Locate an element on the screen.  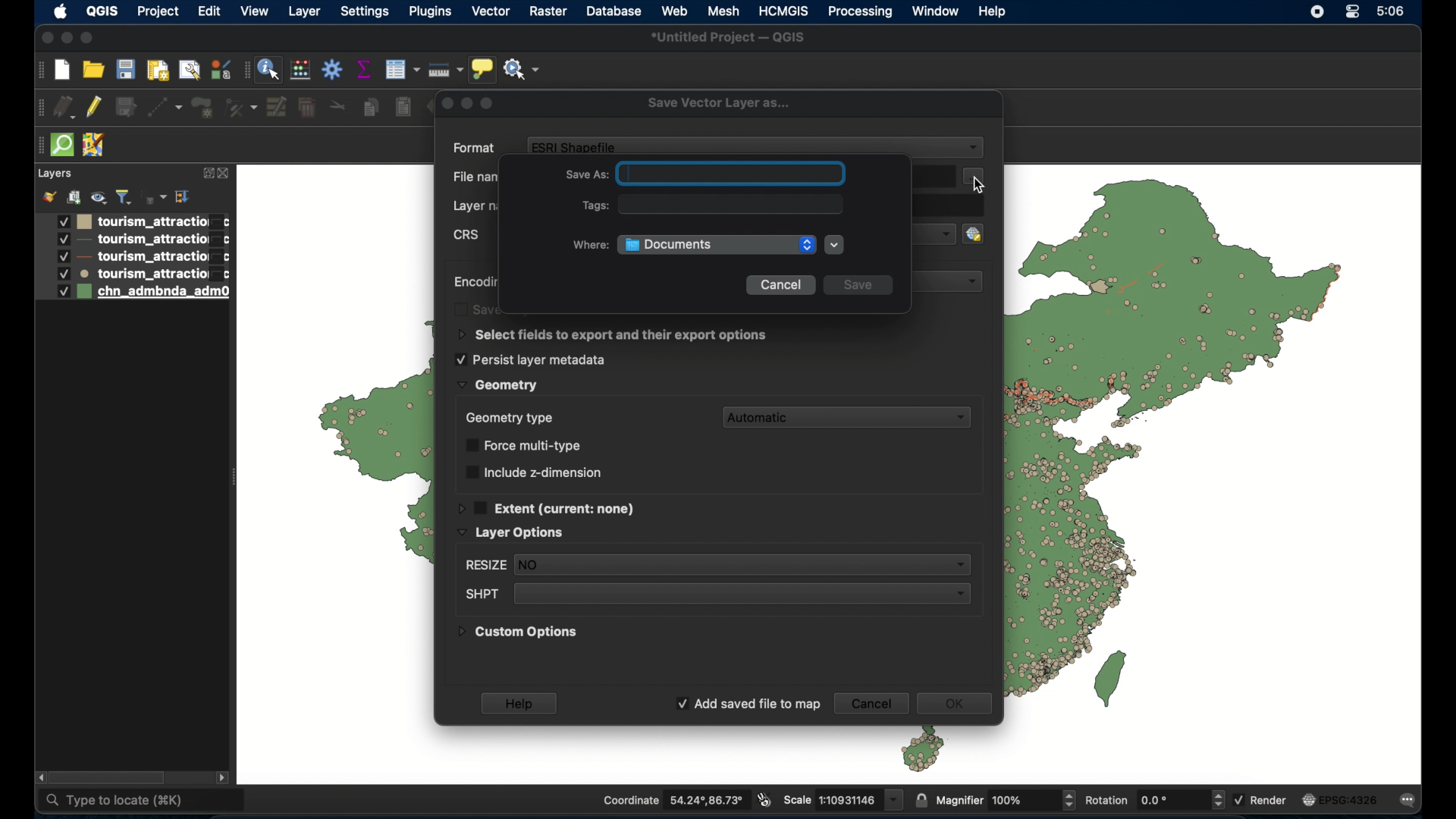
open layer styling panel is located at coordinates (49, 196).